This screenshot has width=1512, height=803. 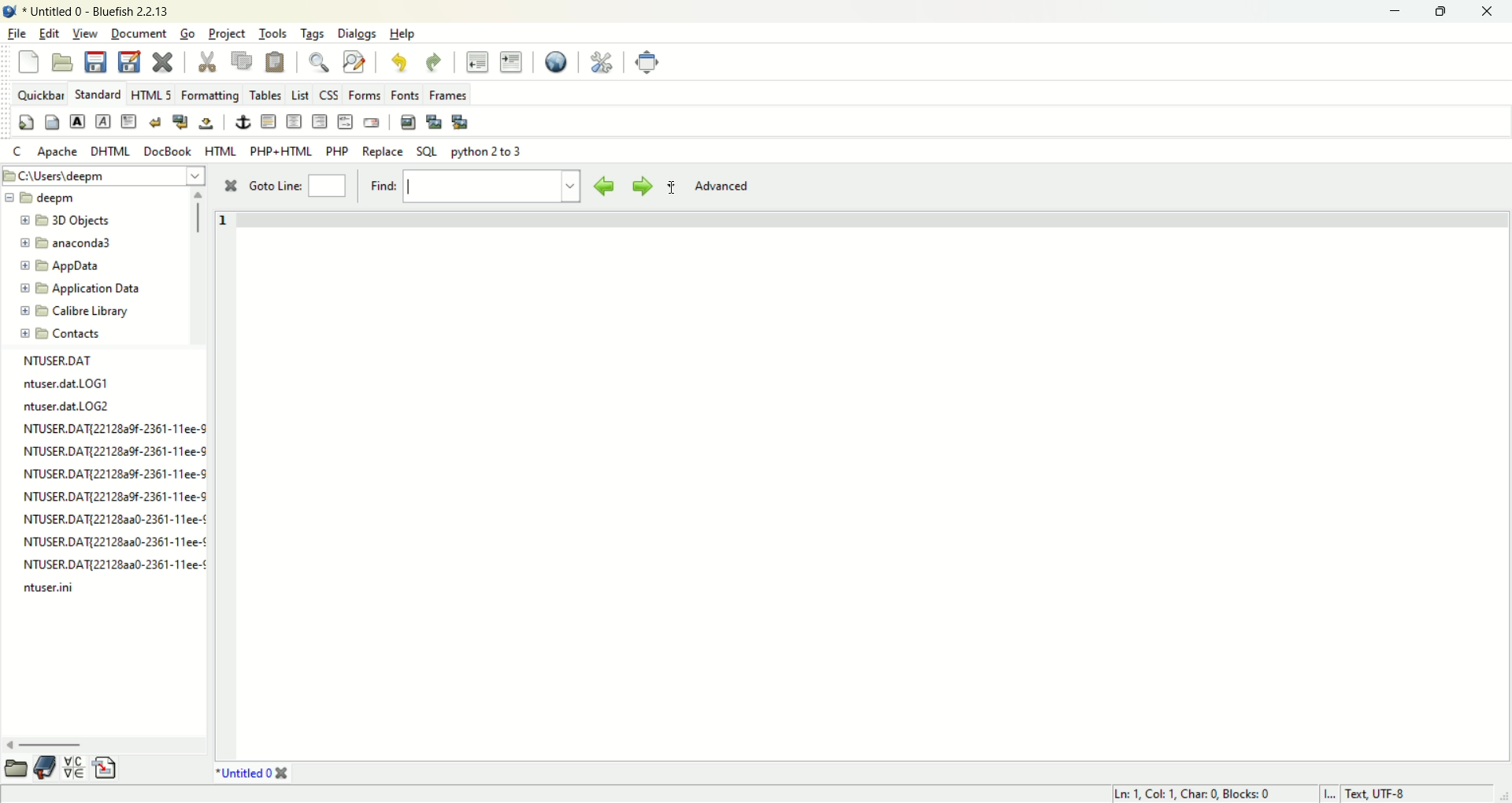 What do you see at coordinates (71, 383) in the screenshot?
I see `ntuser.dat.LOG1` at bounding box center [71, 383].